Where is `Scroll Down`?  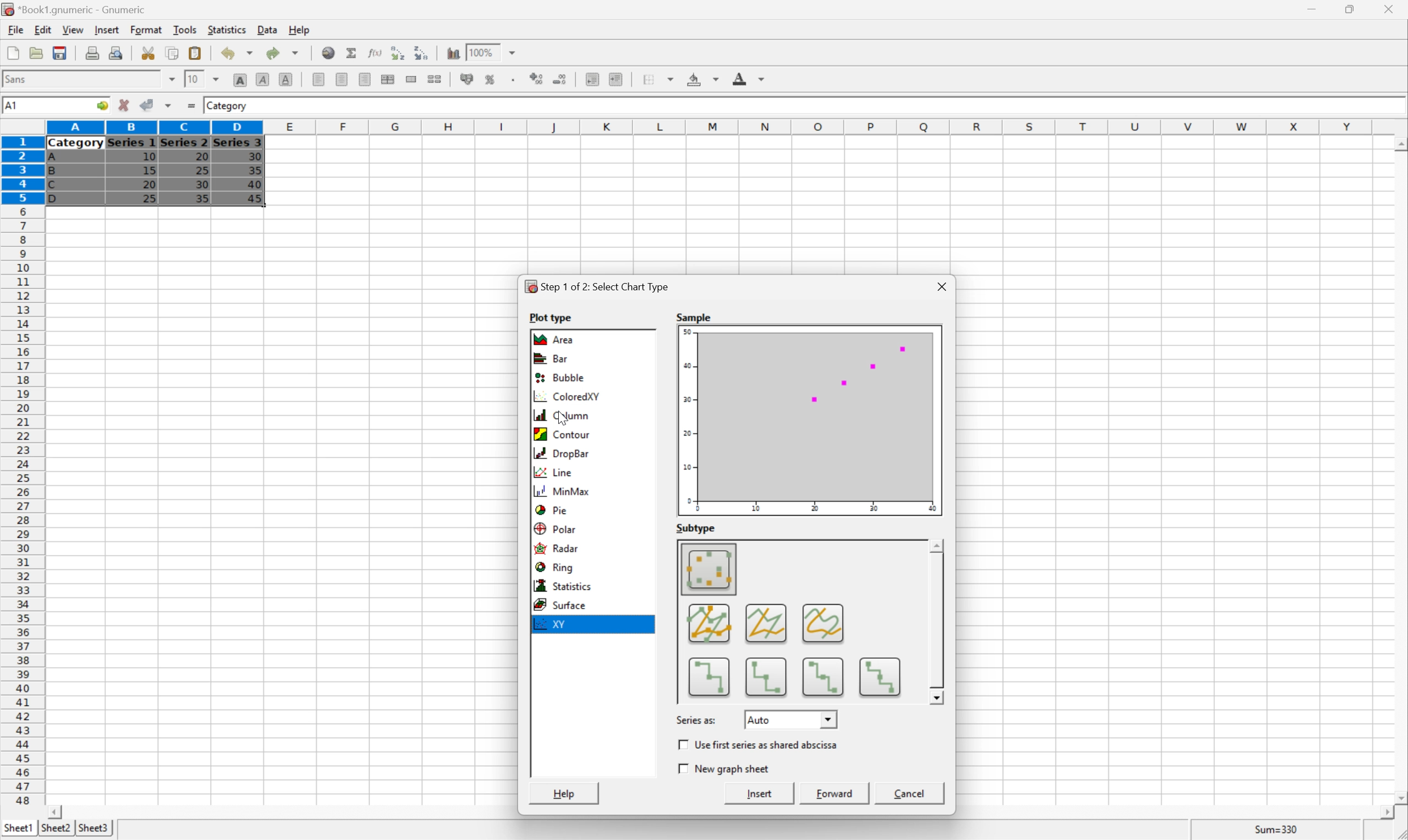 Scroll Down is located at coordinates (938, 698).